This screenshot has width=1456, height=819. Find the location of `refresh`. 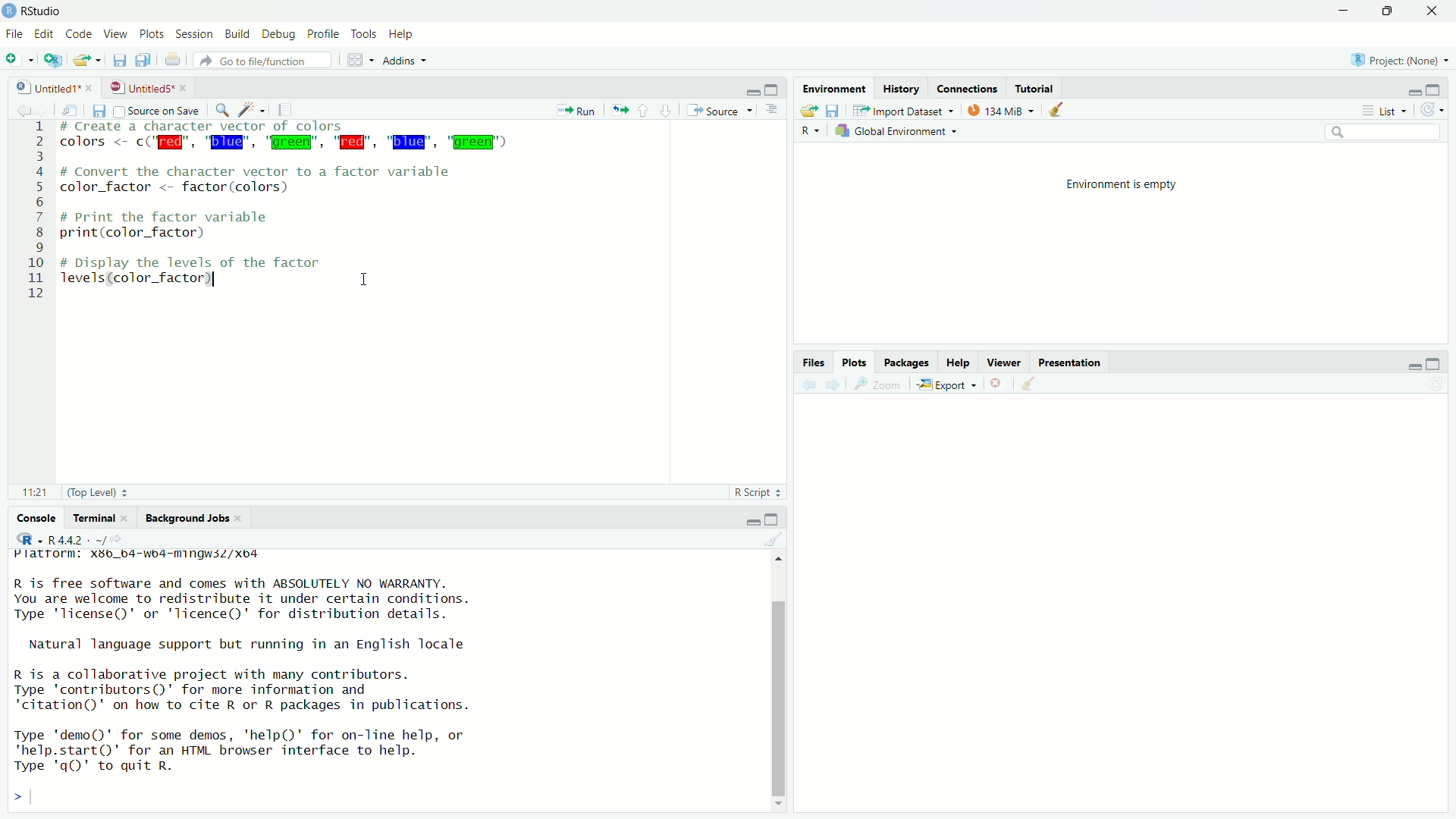

refresh is located at coordinates (1437, 108).